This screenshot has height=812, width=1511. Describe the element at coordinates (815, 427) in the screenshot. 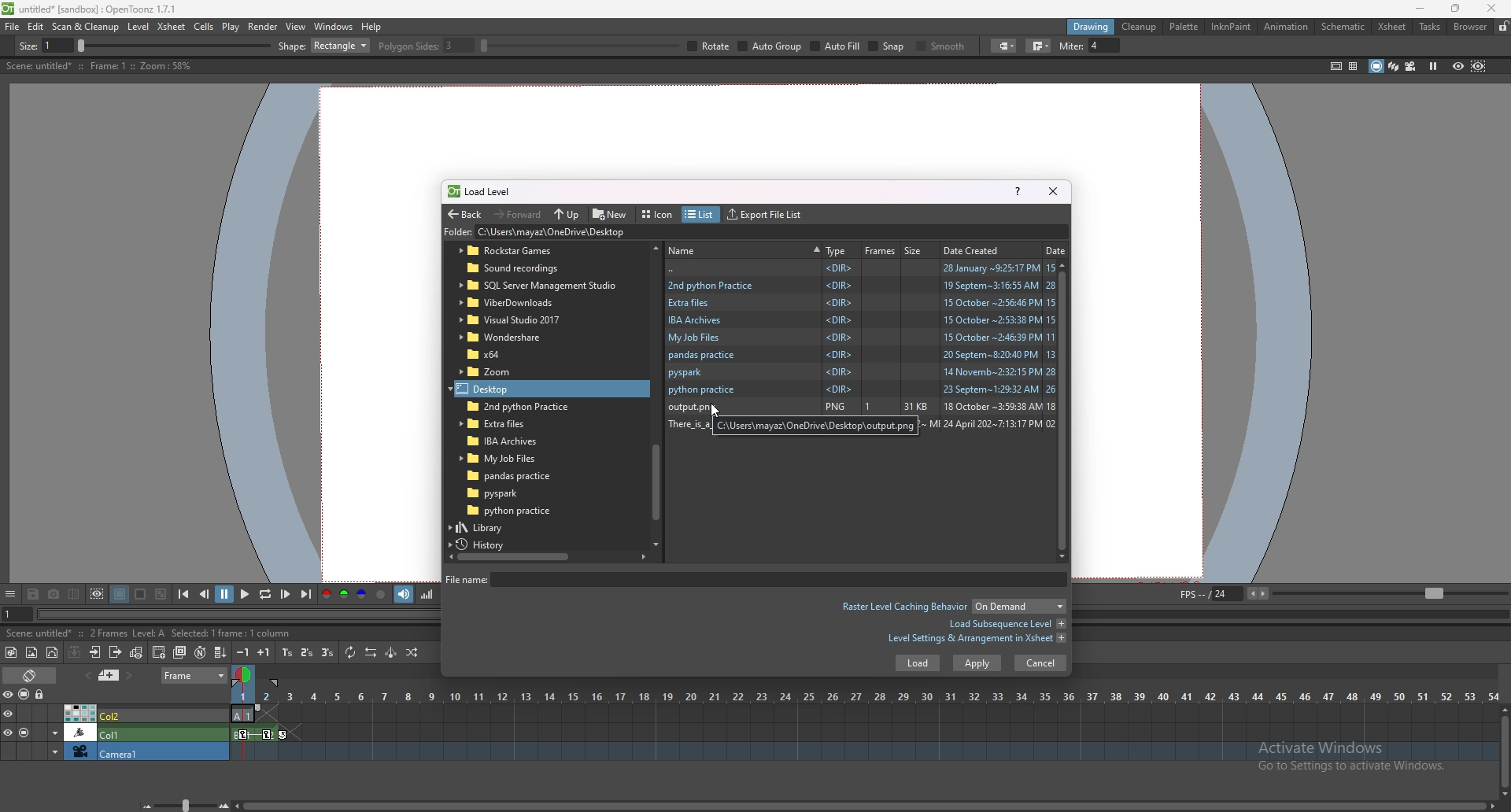

I see `cursor description` at that location.